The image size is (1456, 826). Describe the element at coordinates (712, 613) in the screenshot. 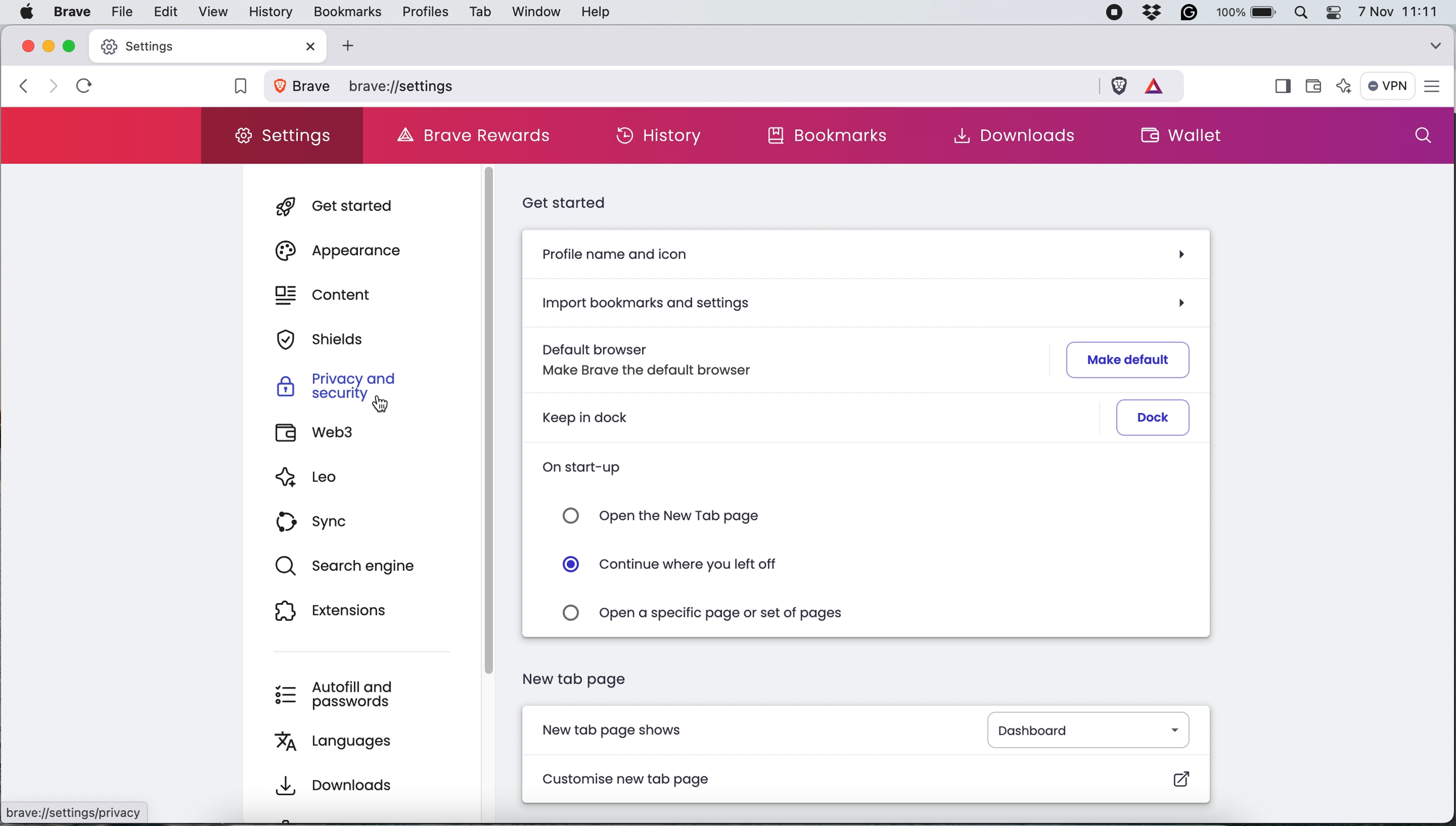

I see `open a specific page or set of pages` at that location.